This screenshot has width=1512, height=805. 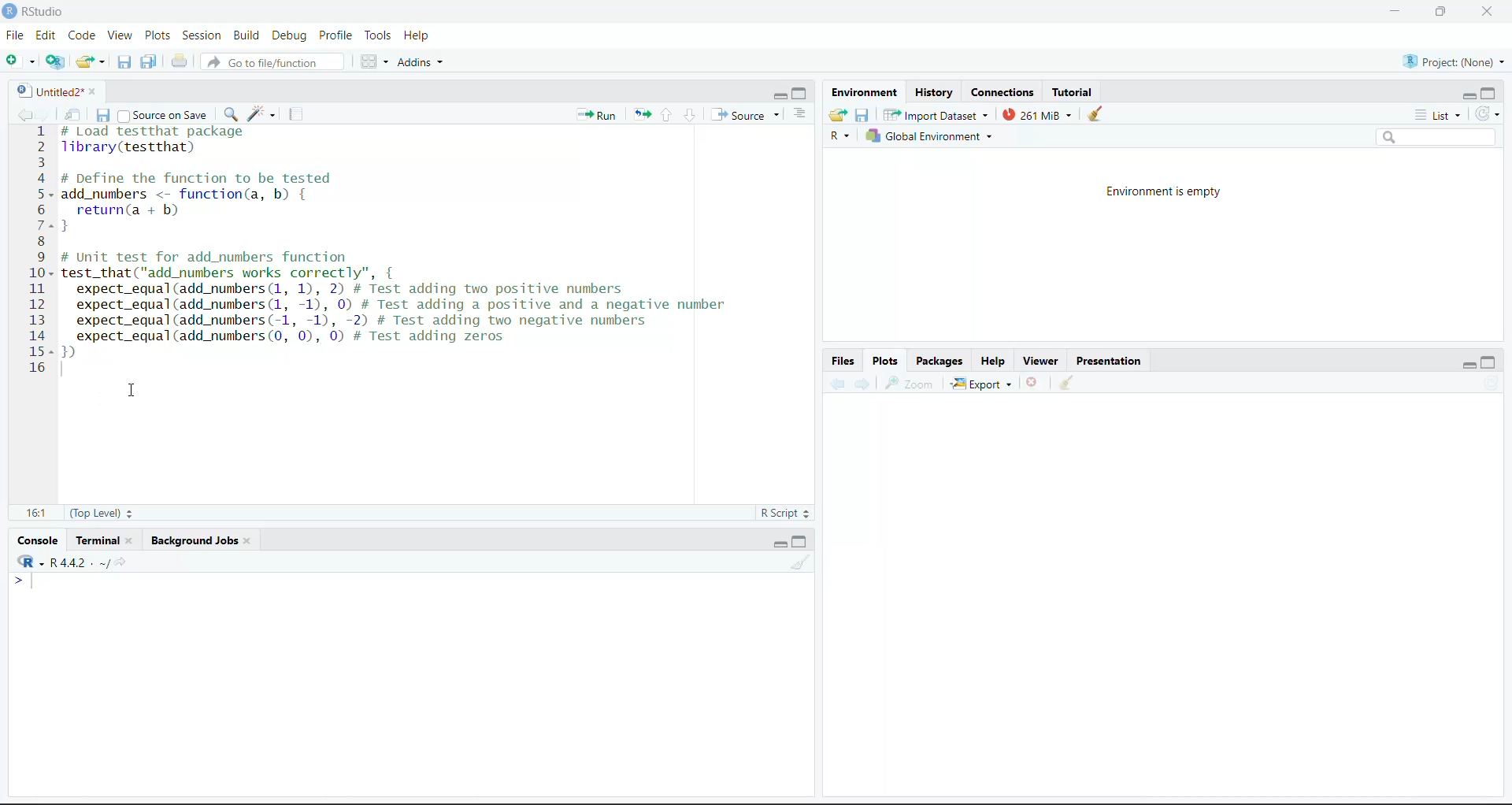 What do you see at coordinates (1035, 383) in the screenshot?
I see `Delete file` at bounding box center [1035, 383].